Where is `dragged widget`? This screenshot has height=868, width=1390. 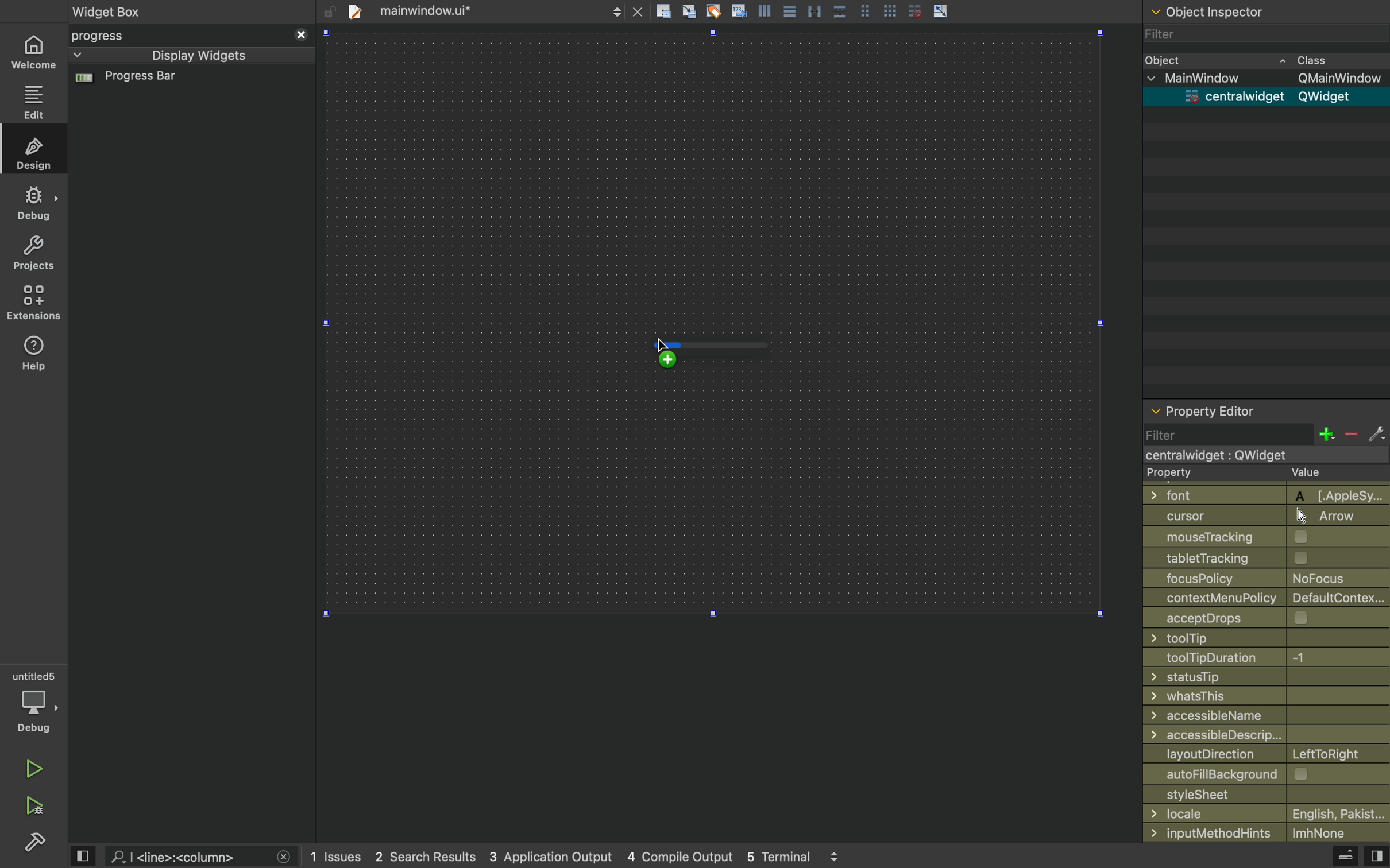 dragged widget is located at coordinates (728, 351).